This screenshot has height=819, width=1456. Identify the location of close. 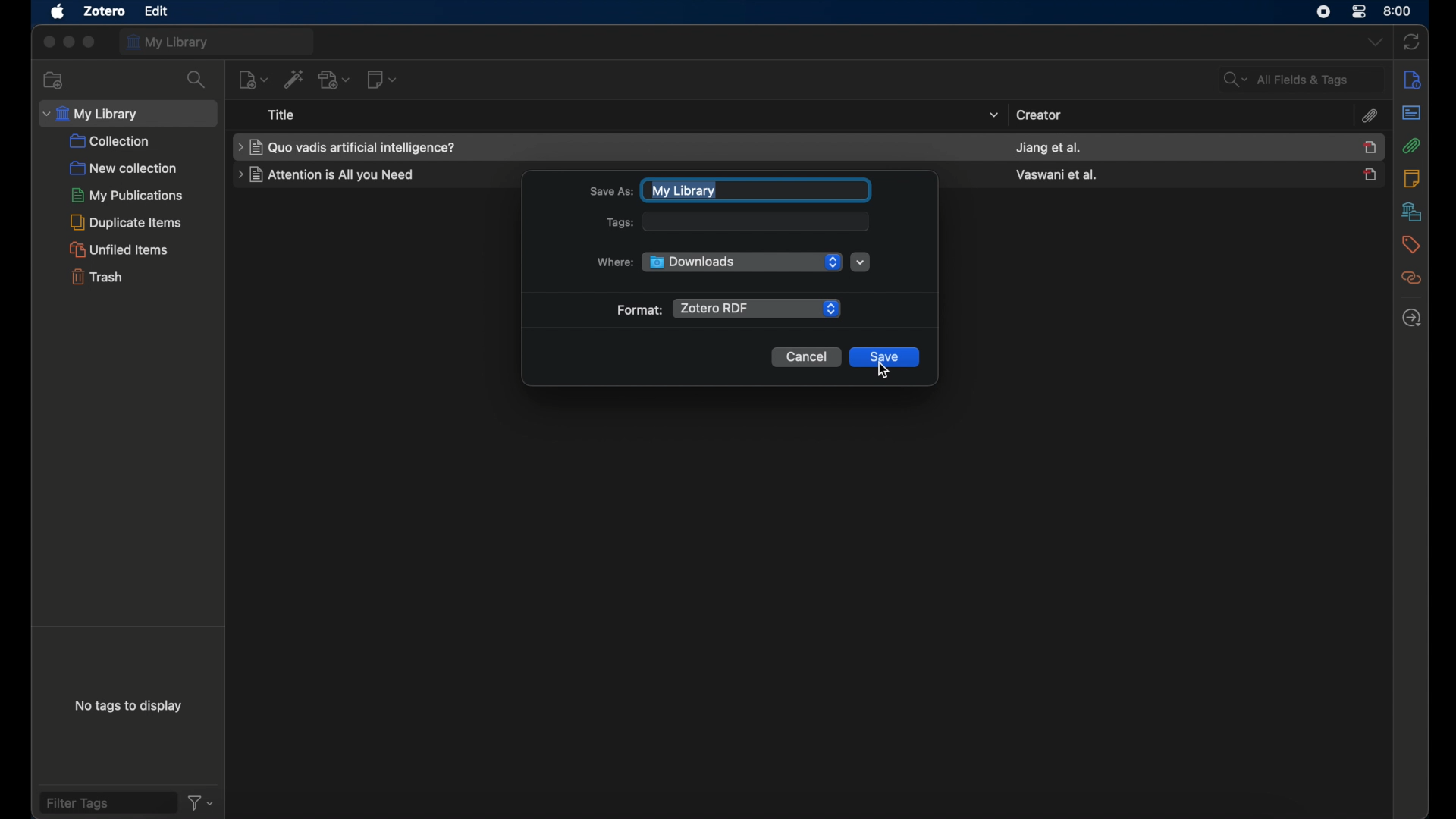
(48, 42).